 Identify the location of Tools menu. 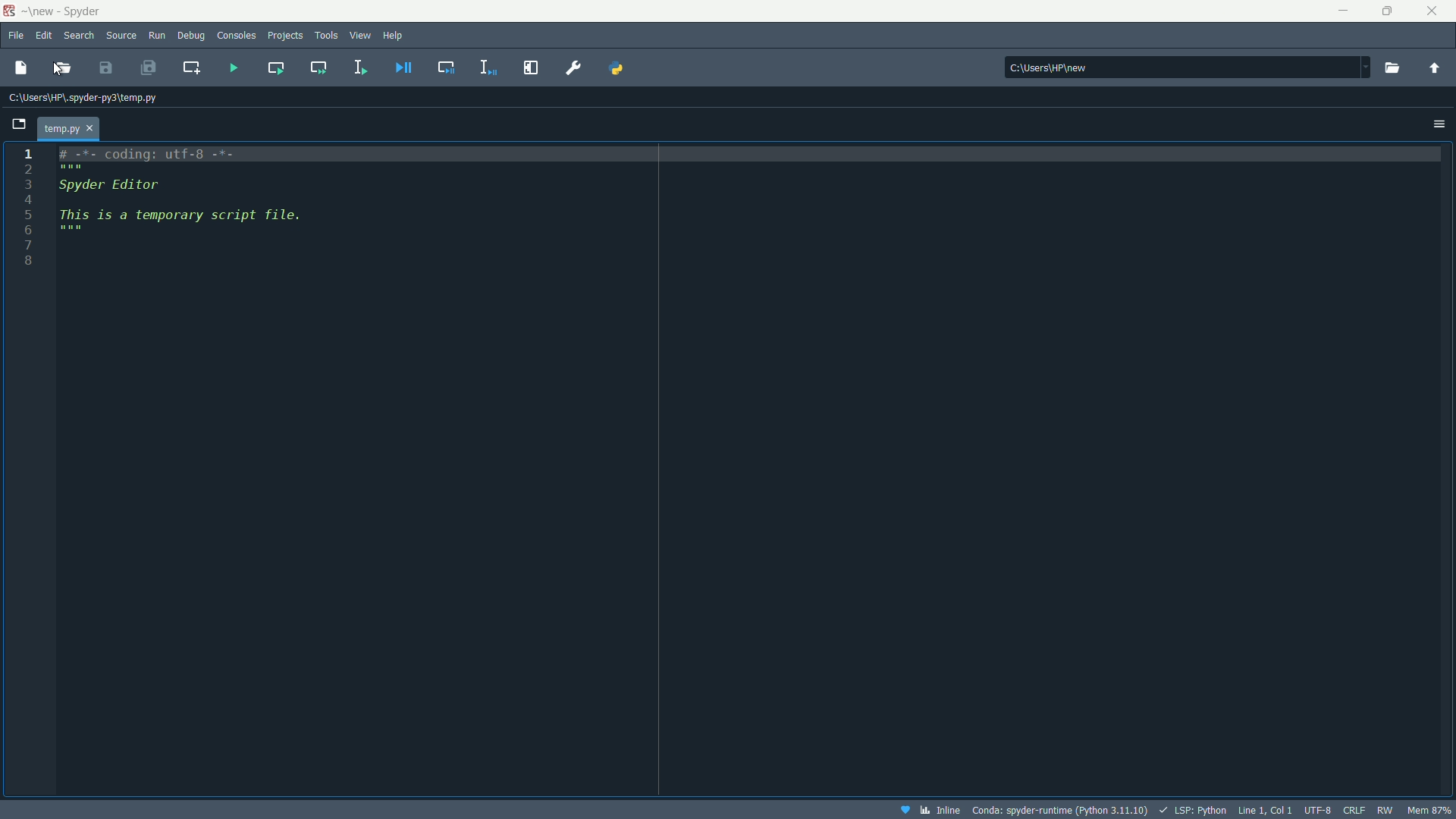
(328, 36).